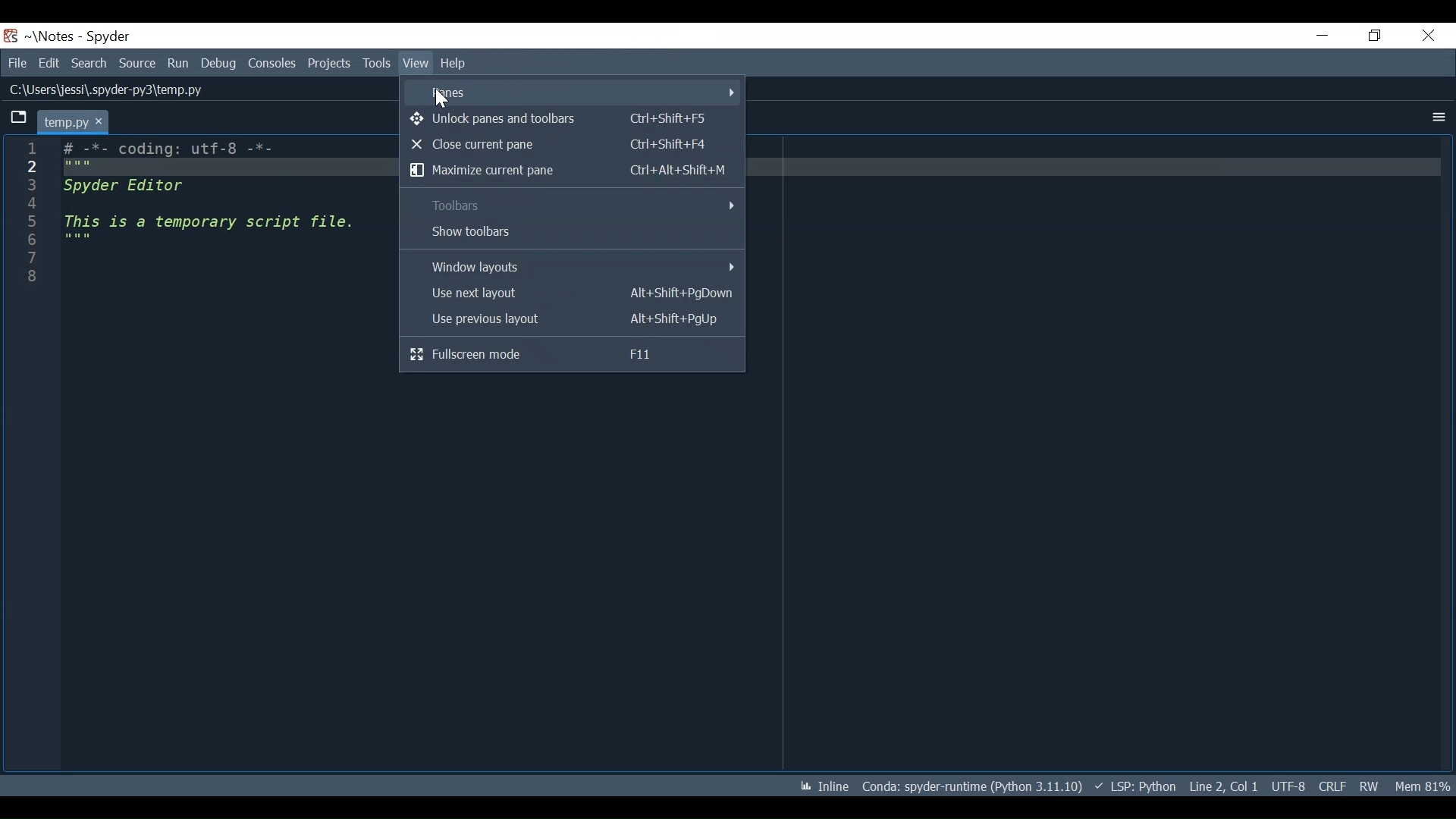 The image size is (1456, 819). Describe the element at coordinates (35, 214) in the screenshot. I see `1 2 3 4 5 6 7 8` at that location.